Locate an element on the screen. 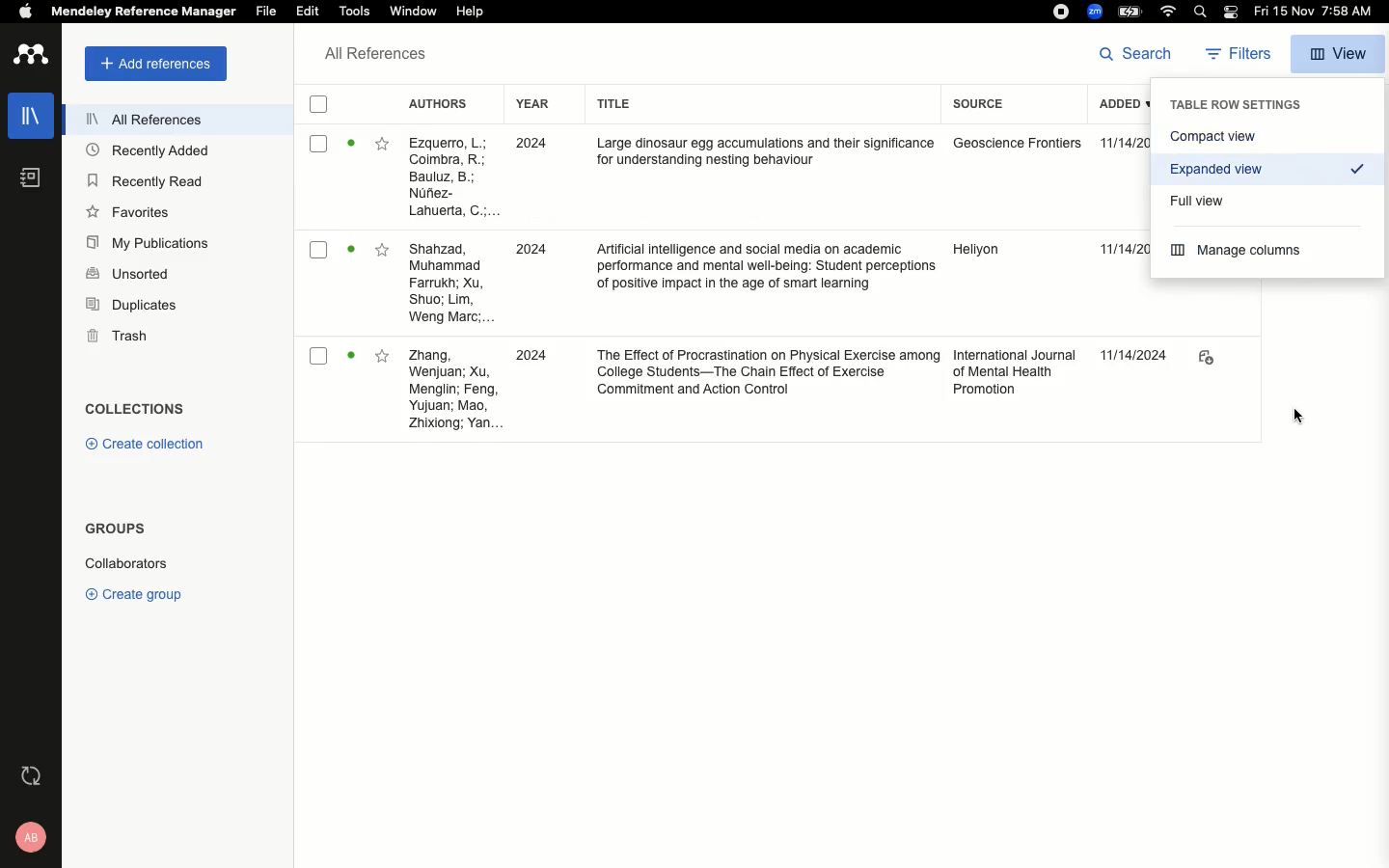 The width and height of the screenshot is (1389, 868). Create group is located at coordinates (133, 591).